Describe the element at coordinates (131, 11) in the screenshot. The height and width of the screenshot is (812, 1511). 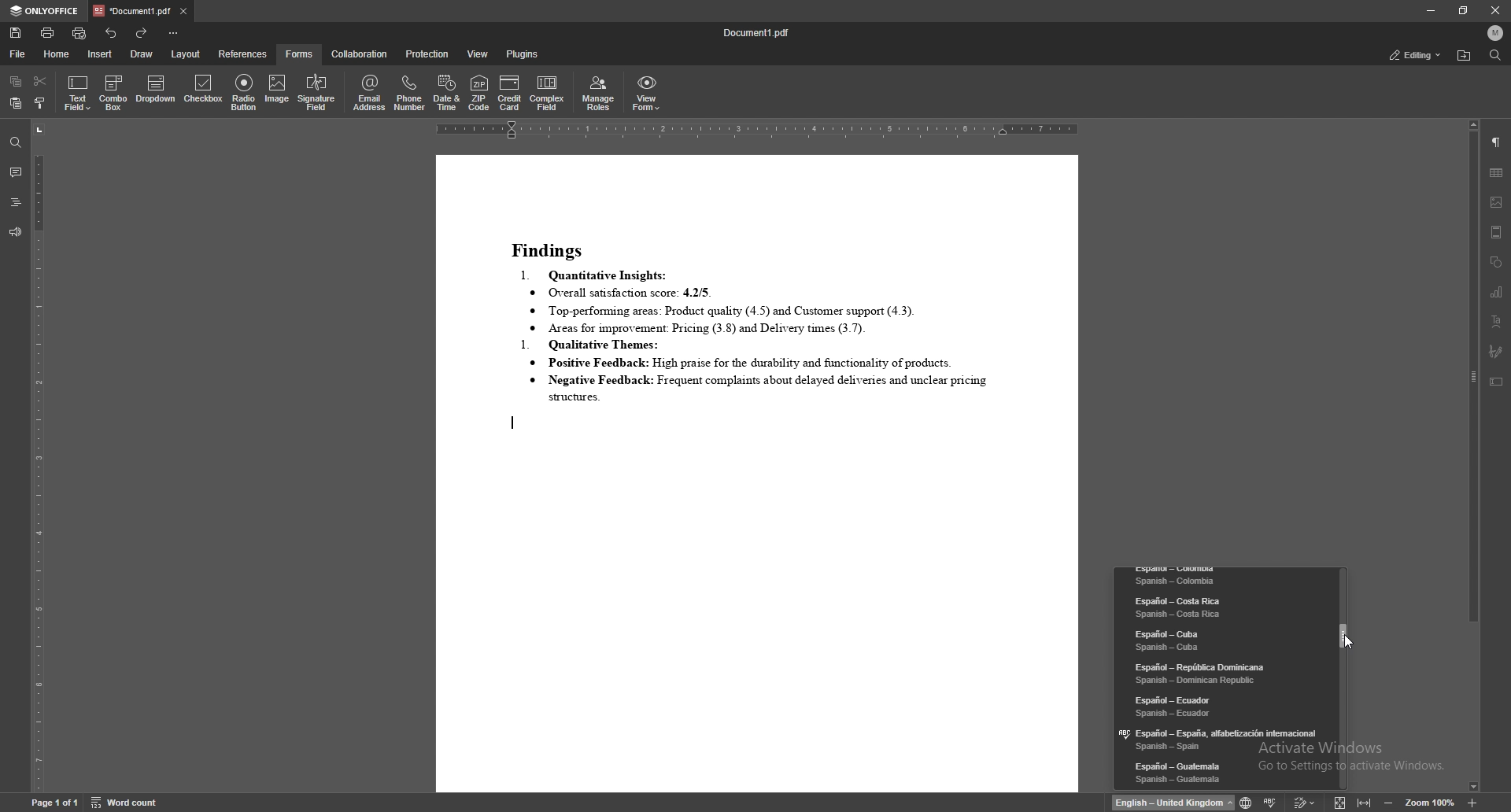
I see `tab` at that location.